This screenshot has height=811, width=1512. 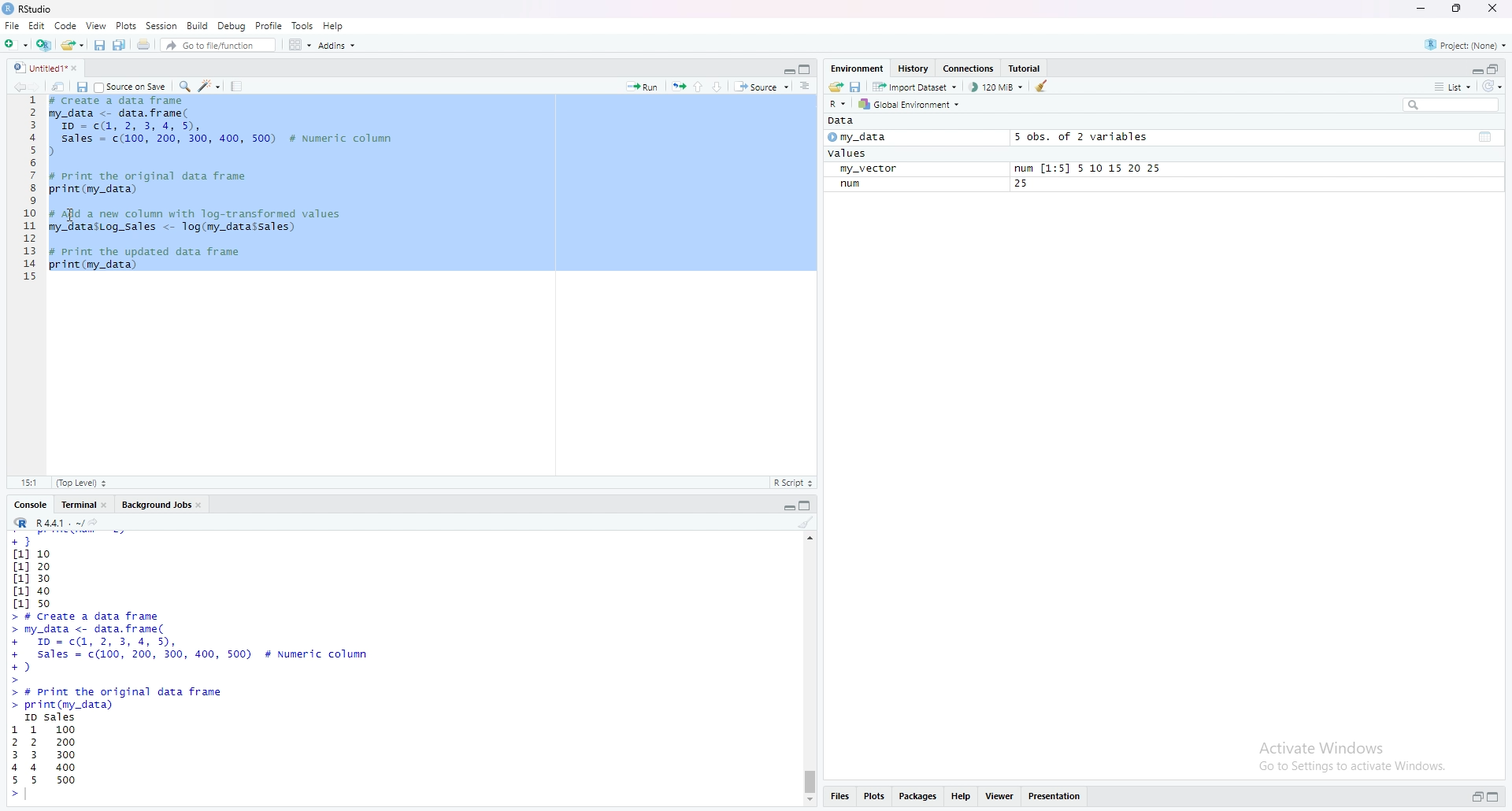 I want to click on workspace panes, so click(x=297, y=46).